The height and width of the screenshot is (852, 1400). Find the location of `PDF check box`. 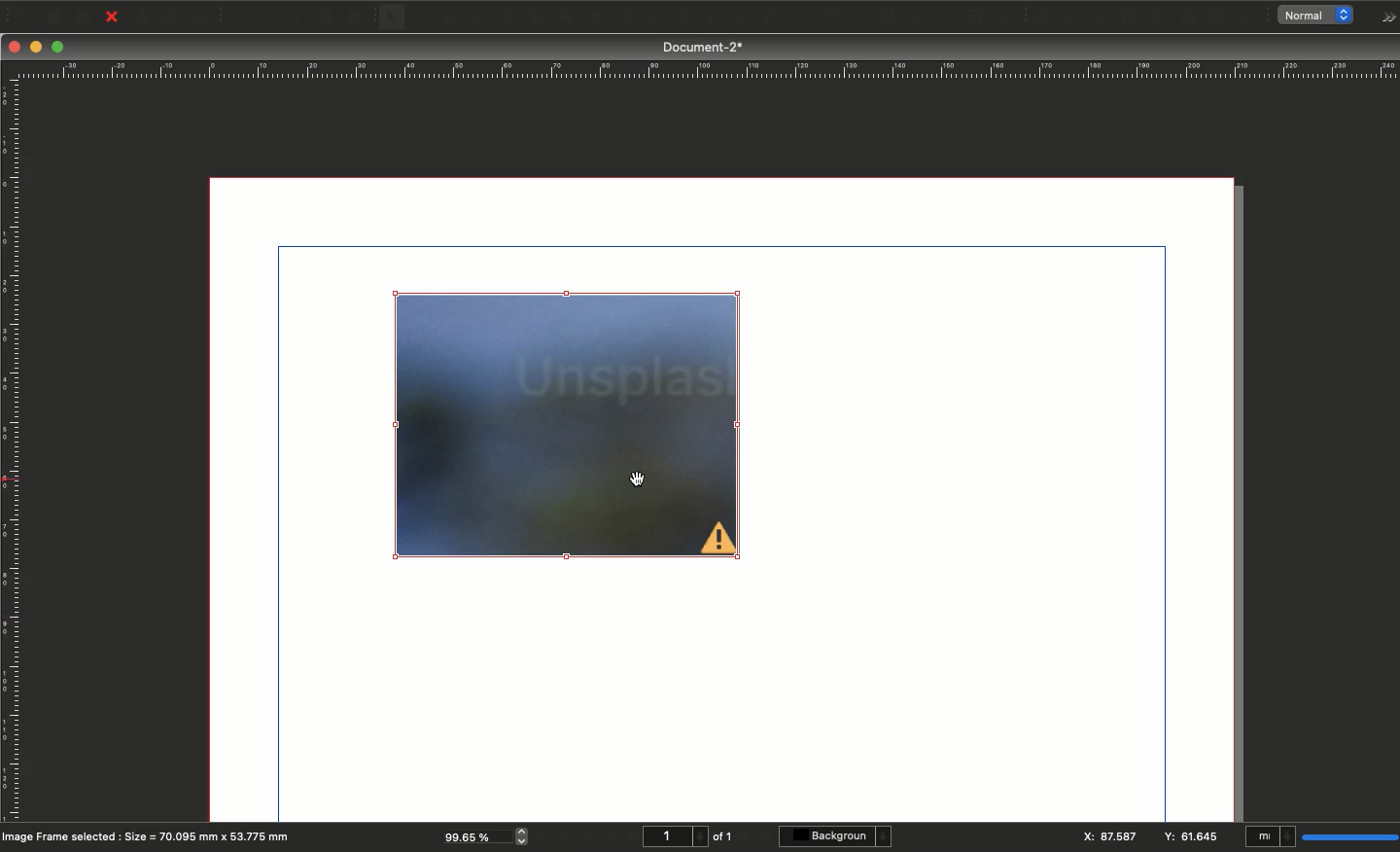

PDF check box is located at coordinates (1071, 18).